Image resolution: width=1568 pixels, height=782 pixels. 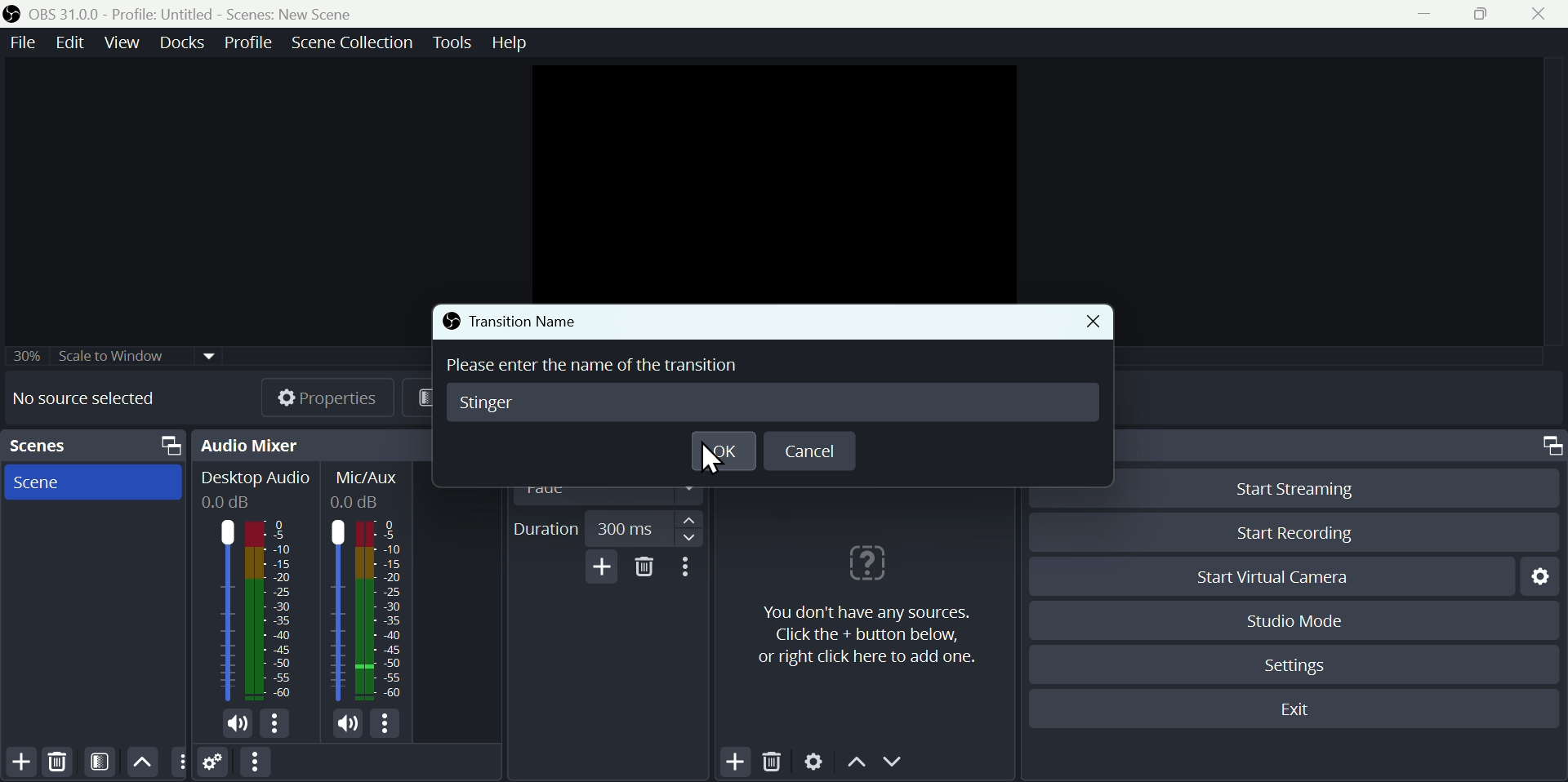 What do you see at coordinates (1301, 663) in the screenshot?
I see `Settings` at bounding box center [1301, 663].